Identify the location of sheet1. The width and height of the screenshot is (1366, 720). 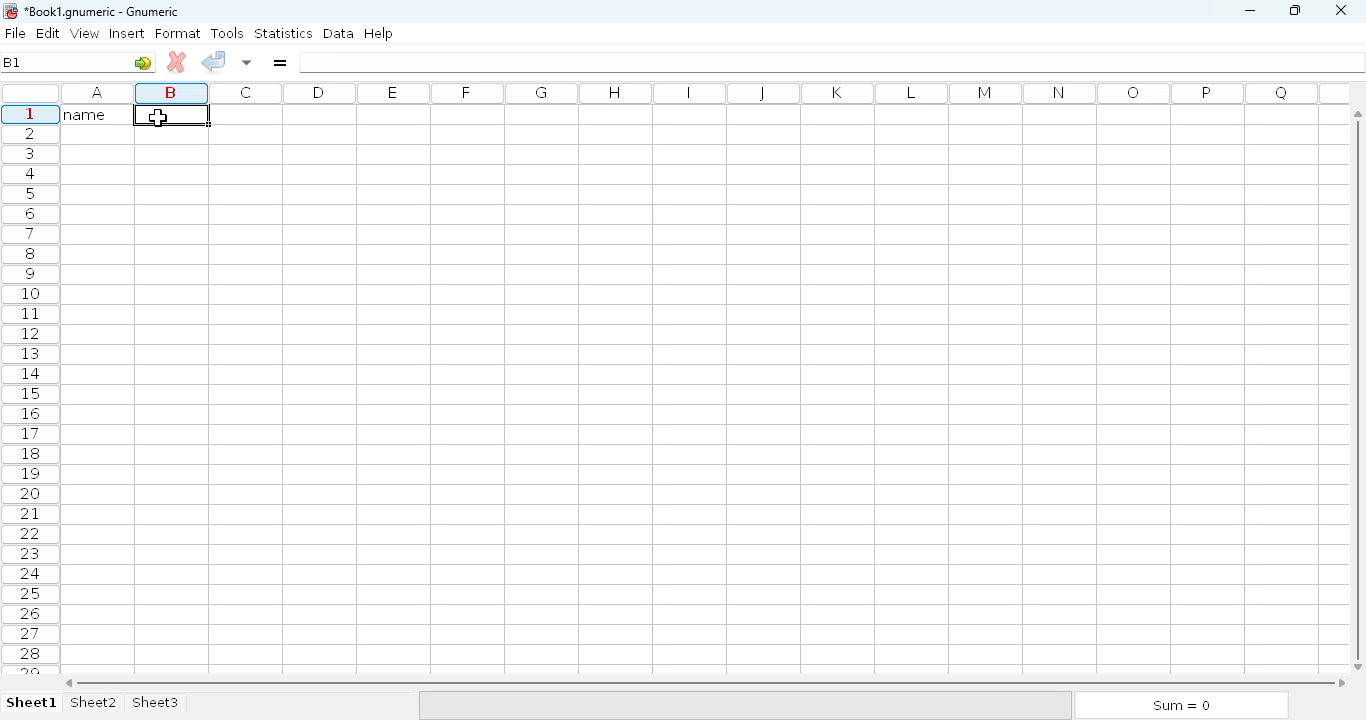
(32, 703).